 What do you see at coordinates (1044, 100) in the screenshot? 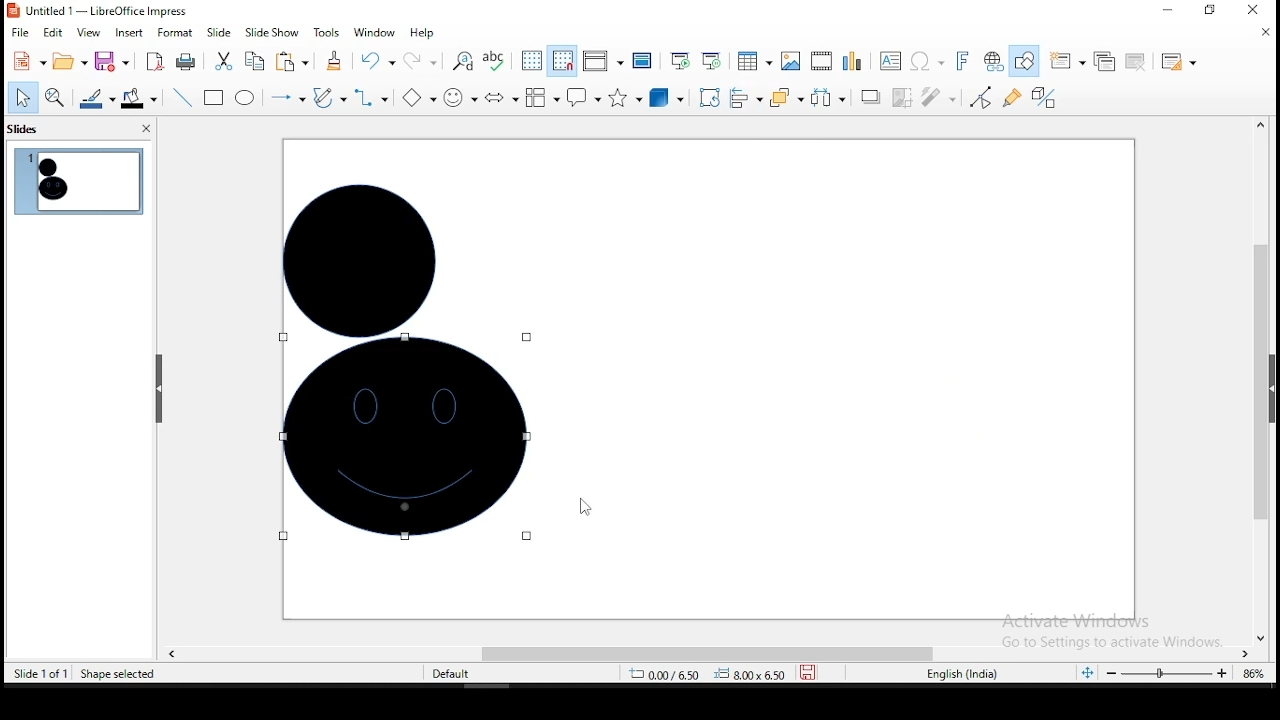
I see `toggle extrusion` at bounding box center [1044, 100].